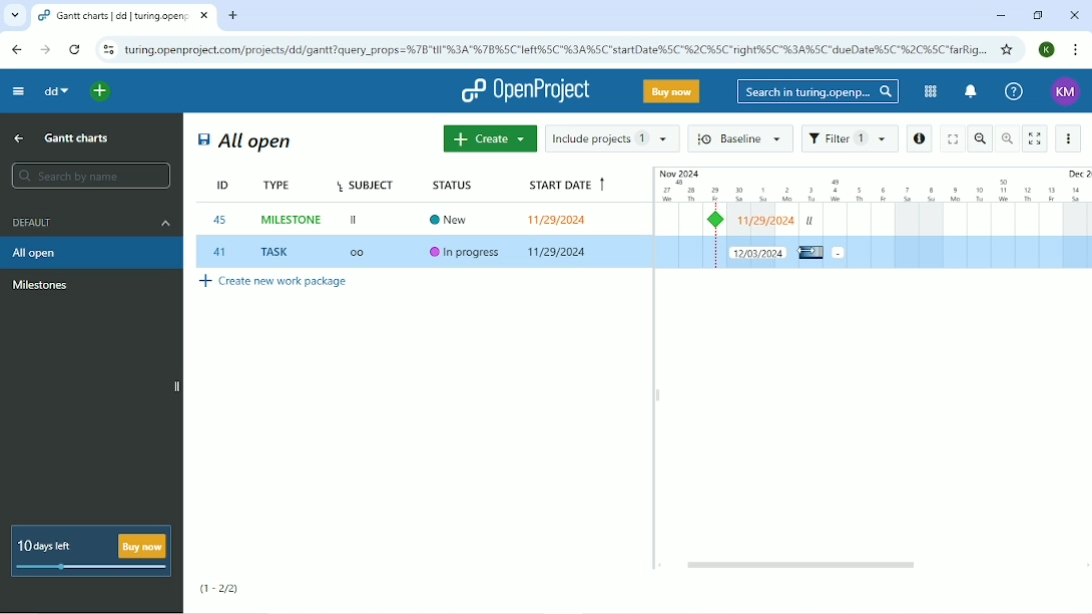 This screenshot has width=1092, height=614. Describe the element at coordinates (103, 92) in the screenshot. I see `Open quick add menu` at that location.